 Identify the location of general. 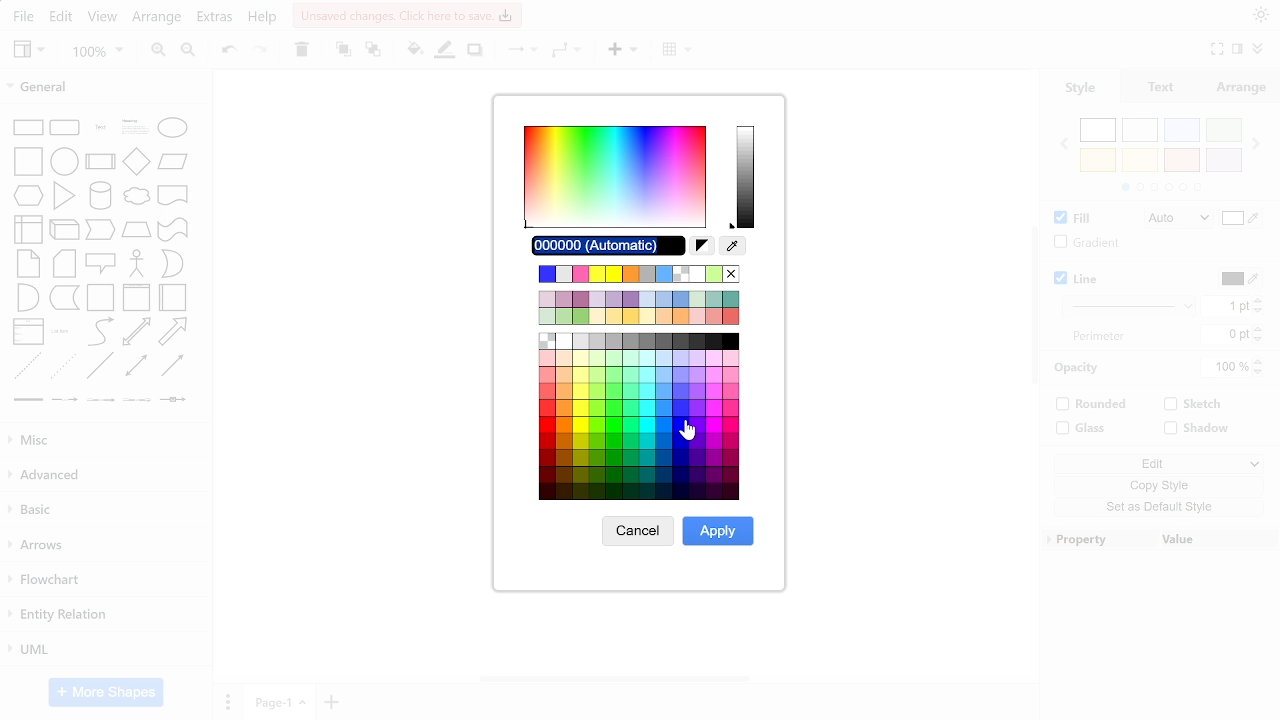
(104, 85).